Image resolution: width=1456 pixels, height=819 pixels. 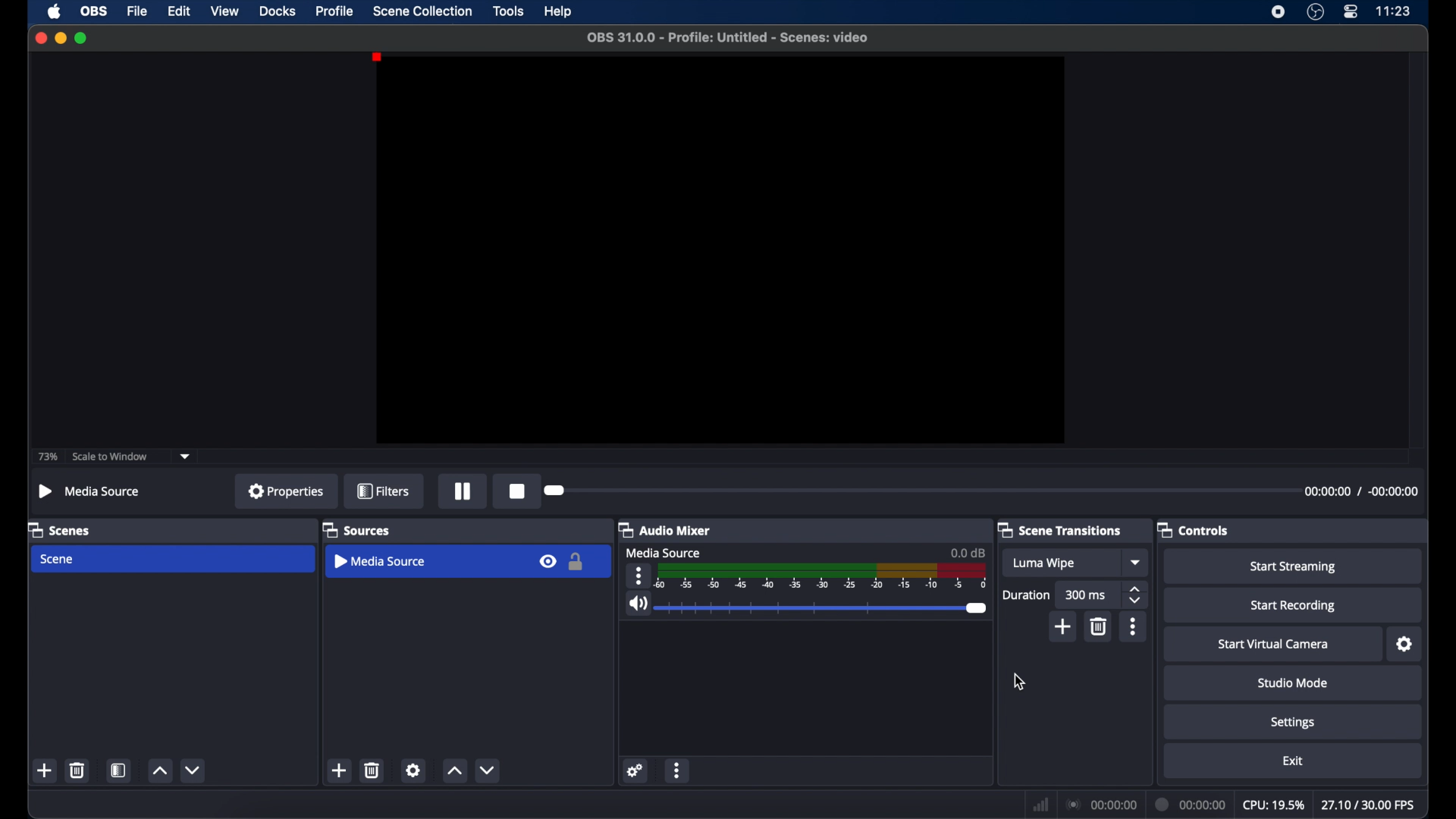 I want to click on 0.0, so click(x=969, y=552).